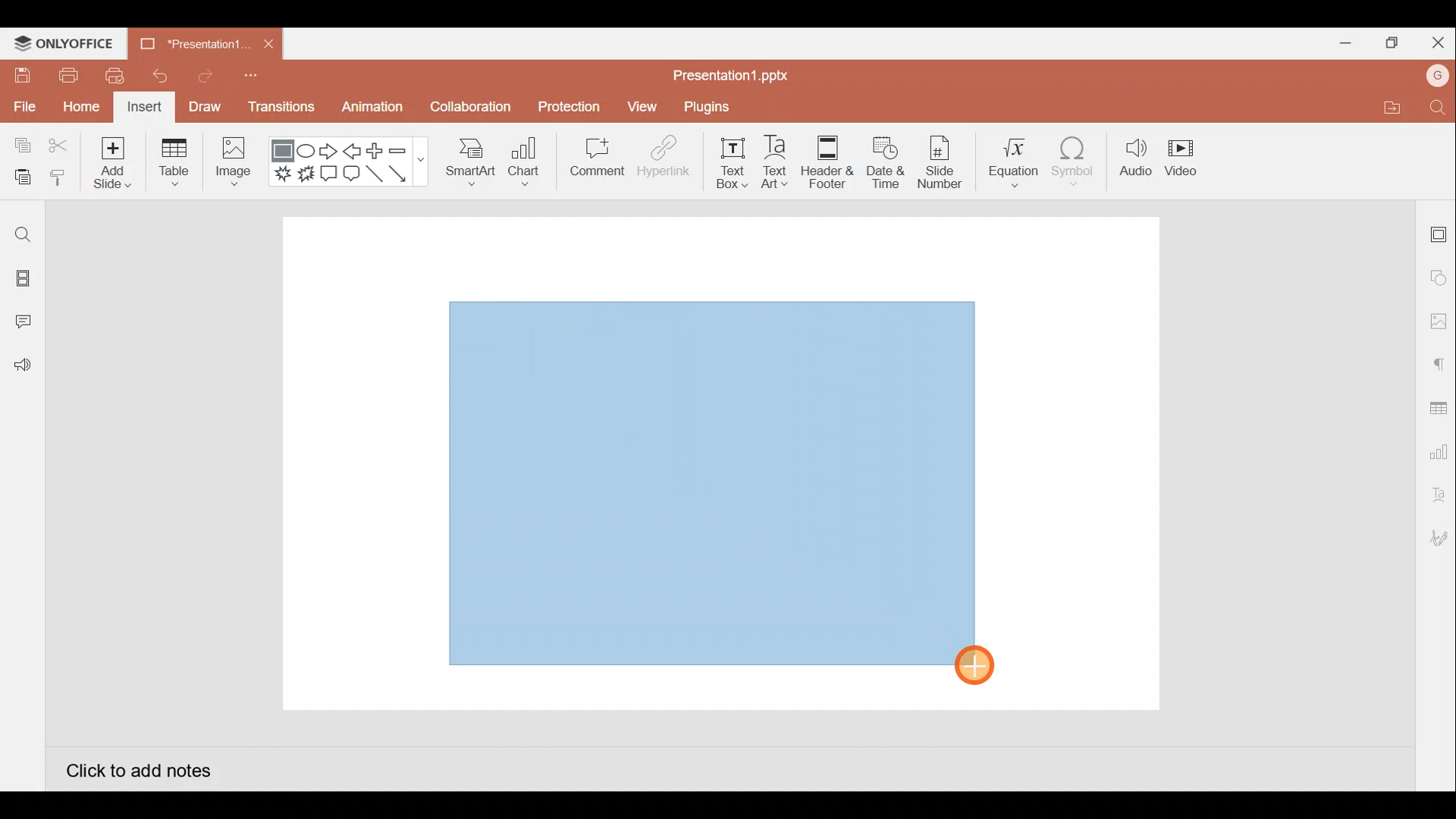 This screenshot has height=819, width=1456. I want to click on Slides, so click(21, 281).